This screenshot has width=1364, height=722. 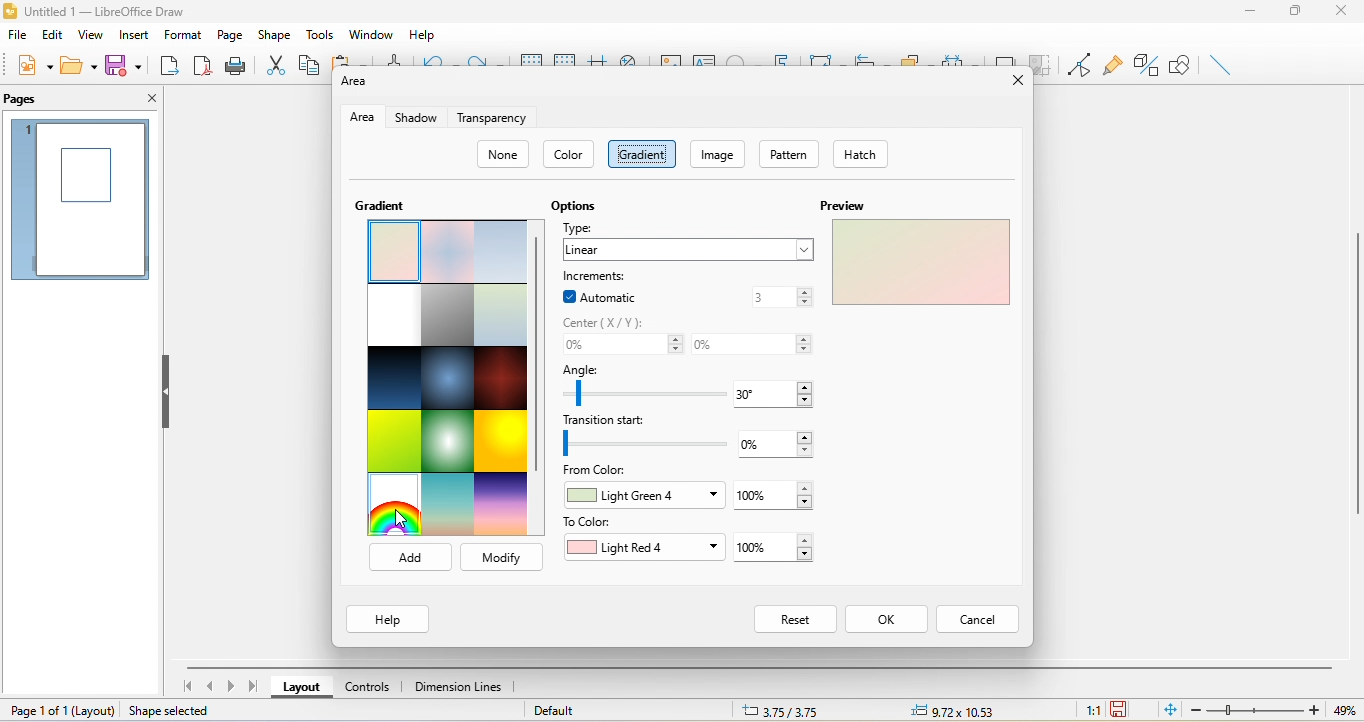 What do you see at coordinates (447, 443) in the screenshot?
I see `neon light` at bounding box center [447, 443].